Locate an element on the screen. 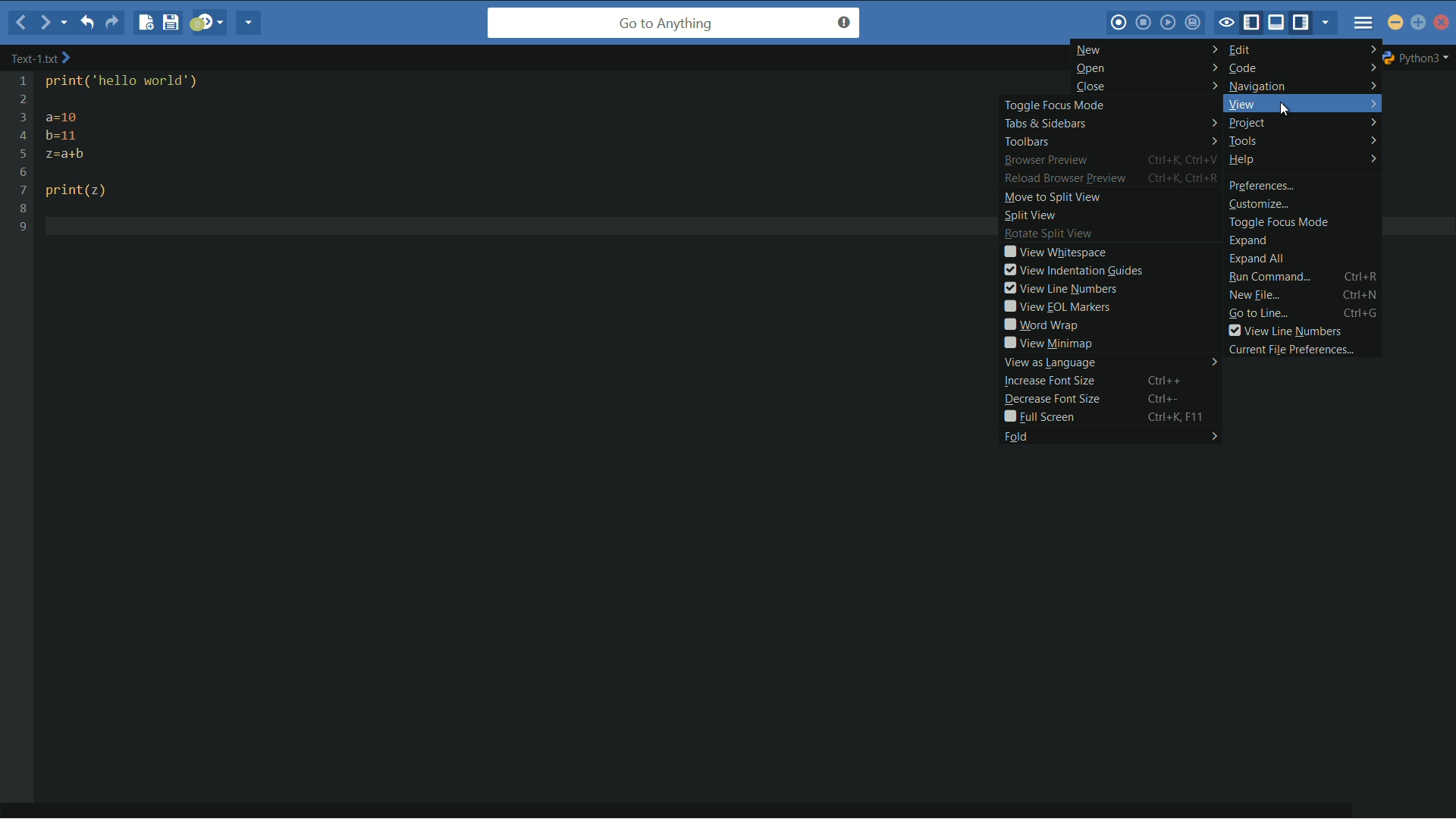  expand is located at coordinates (1247, 240).